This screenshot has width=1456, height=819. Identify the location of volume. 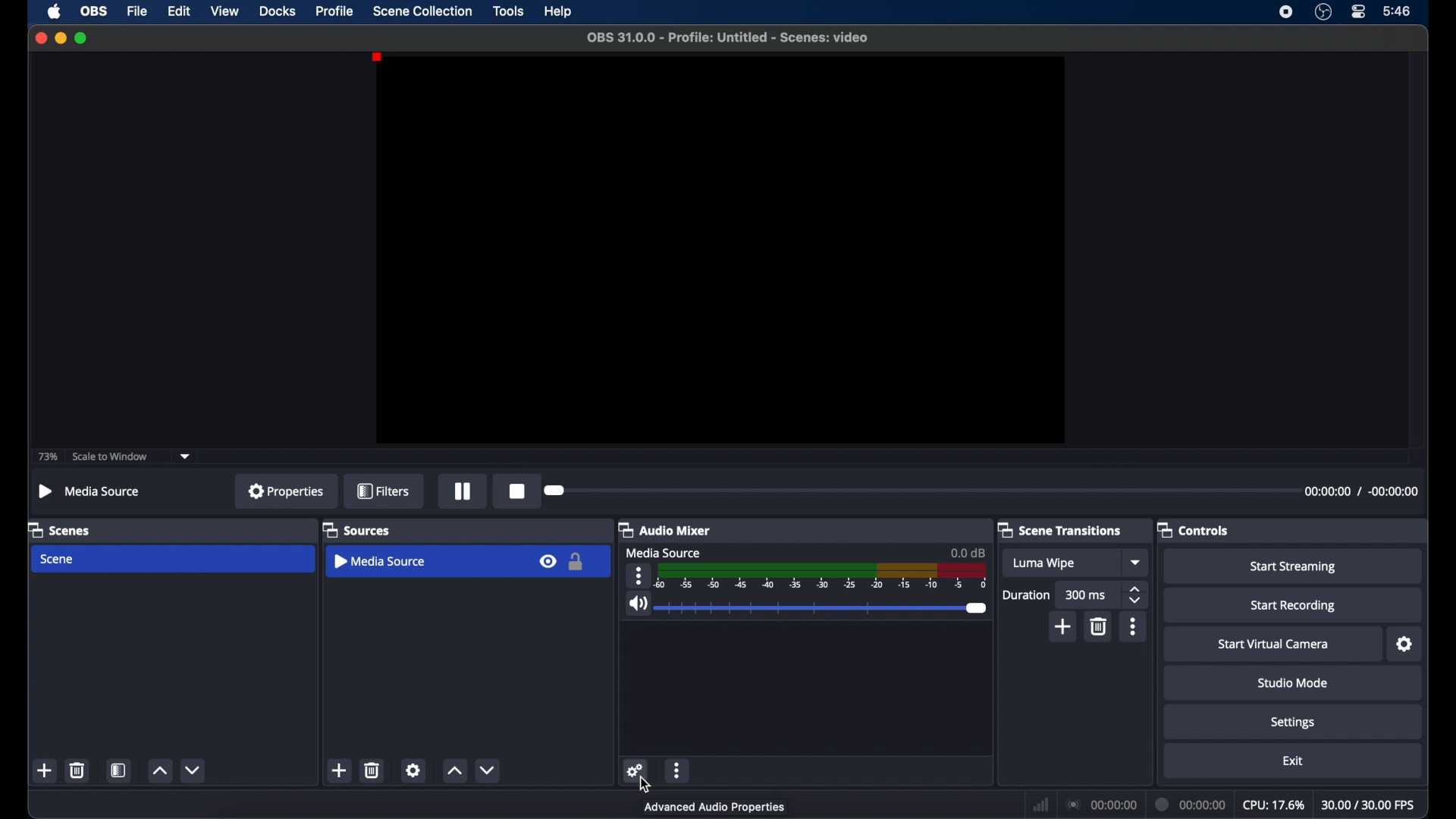
(638, 604).